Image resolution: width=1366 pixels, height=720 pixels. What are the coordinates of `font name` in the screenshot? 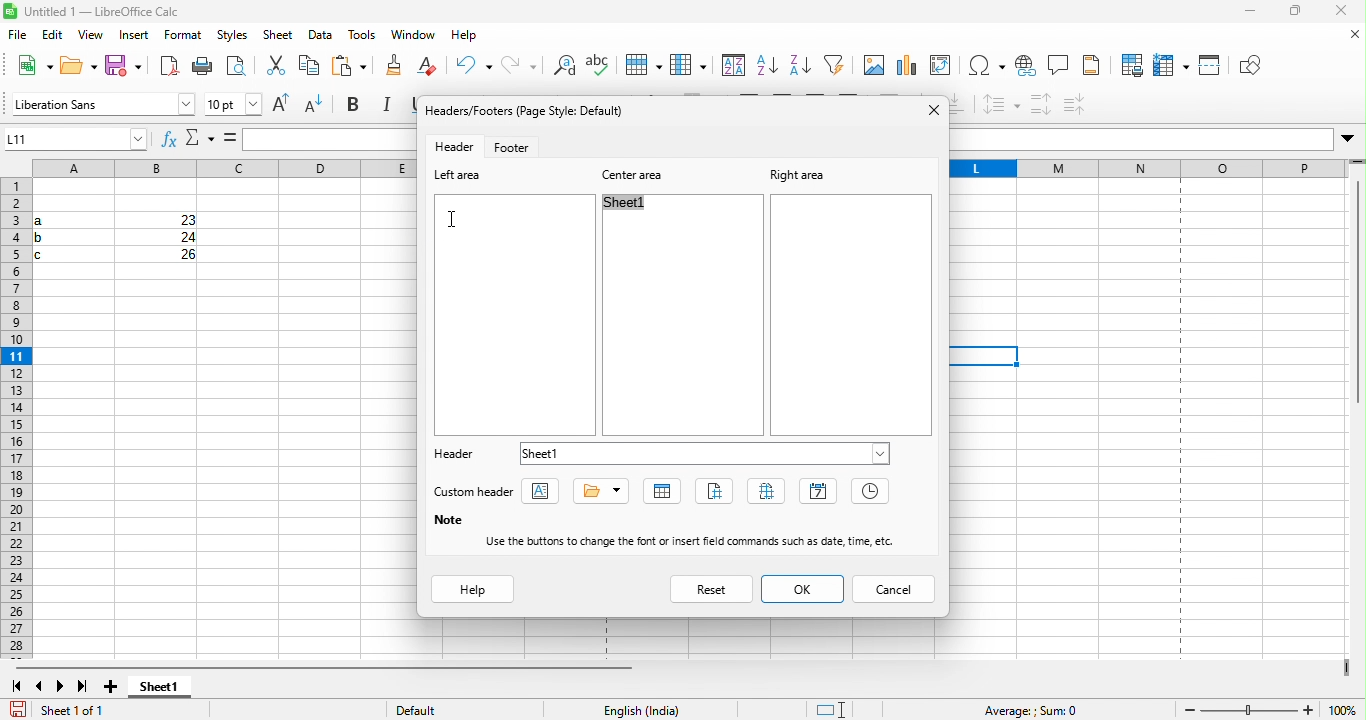 It's located at (102, 104).